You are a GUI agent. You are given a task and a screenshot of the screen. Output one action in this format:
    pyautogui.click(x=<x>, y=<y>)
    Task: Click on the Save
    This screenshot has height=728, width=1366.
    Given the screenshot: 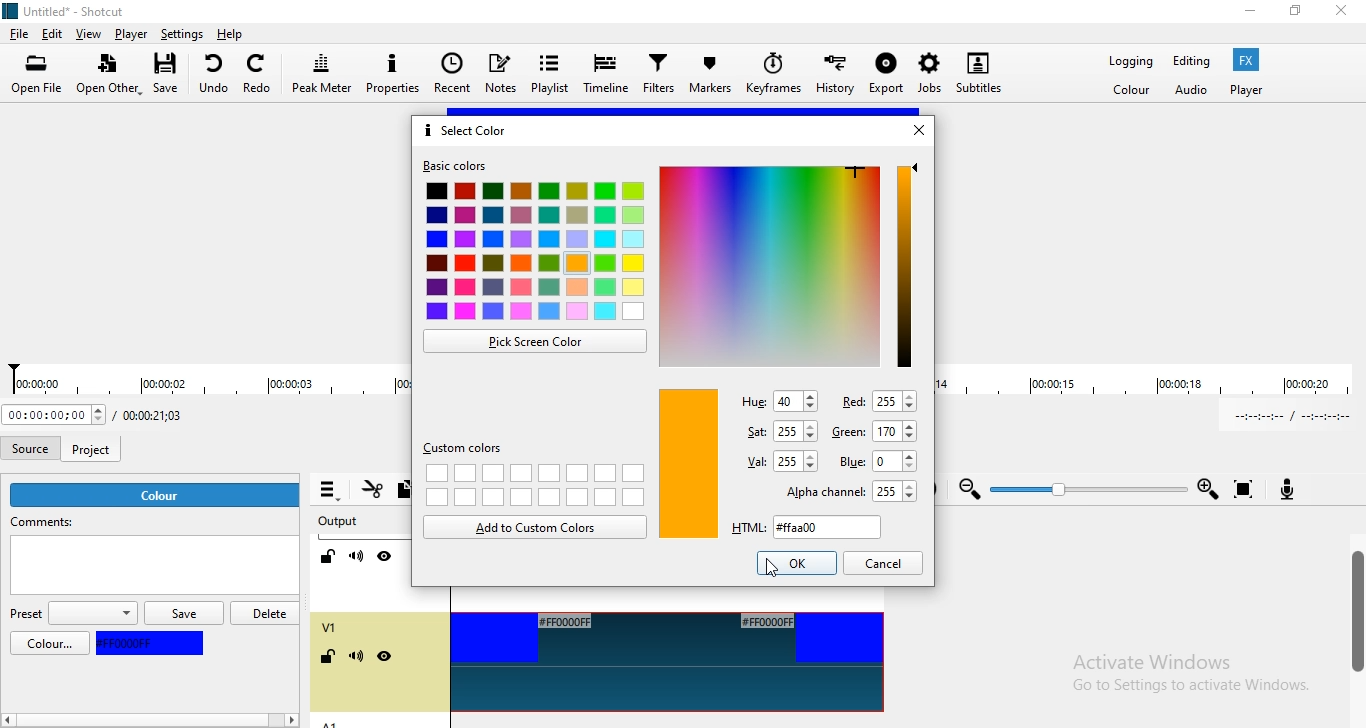 What is the action you would take?
    pyautogui.click(x=172, y=74)
    